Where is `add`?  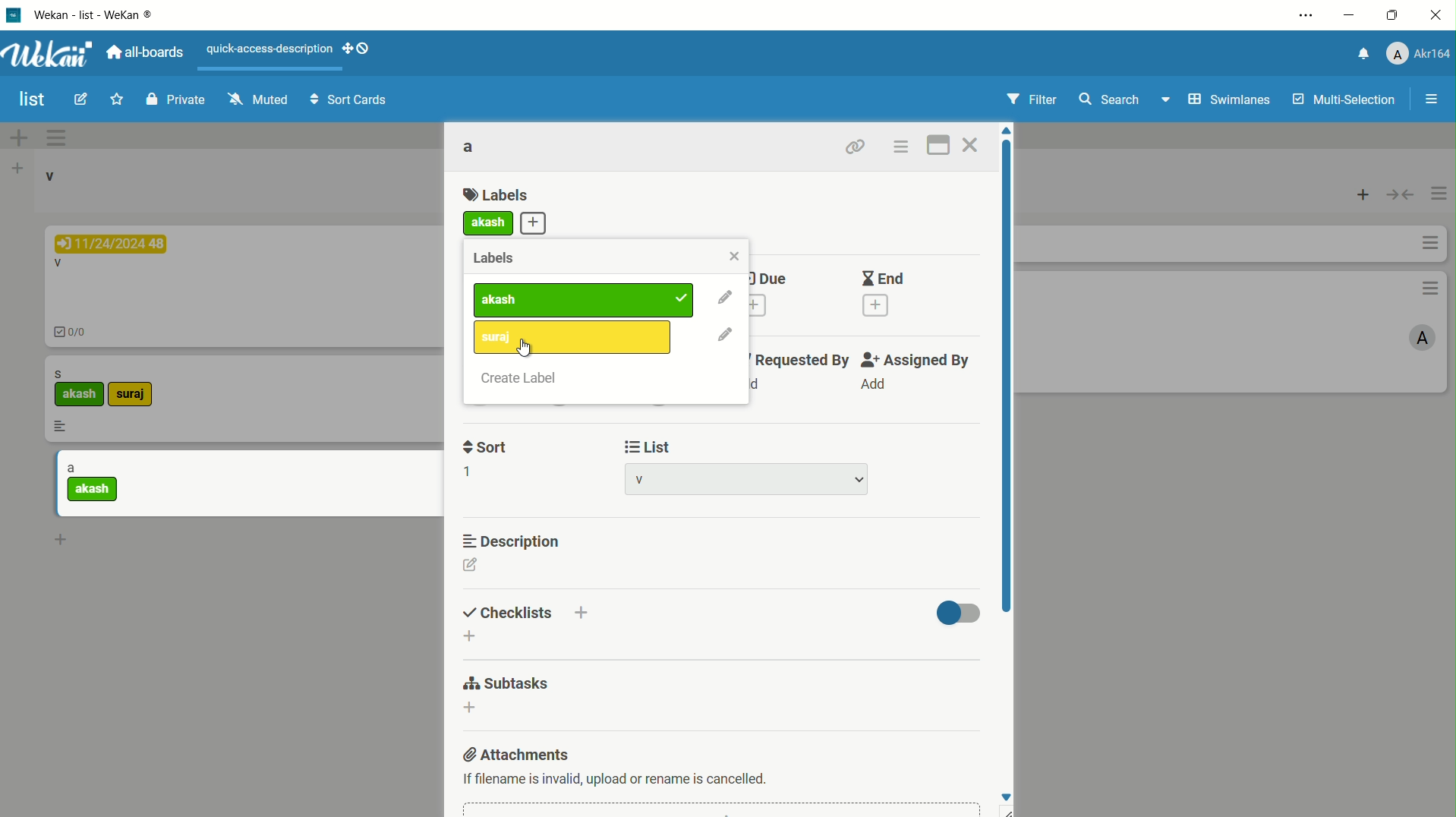
add is located at coordinates (14, 172).